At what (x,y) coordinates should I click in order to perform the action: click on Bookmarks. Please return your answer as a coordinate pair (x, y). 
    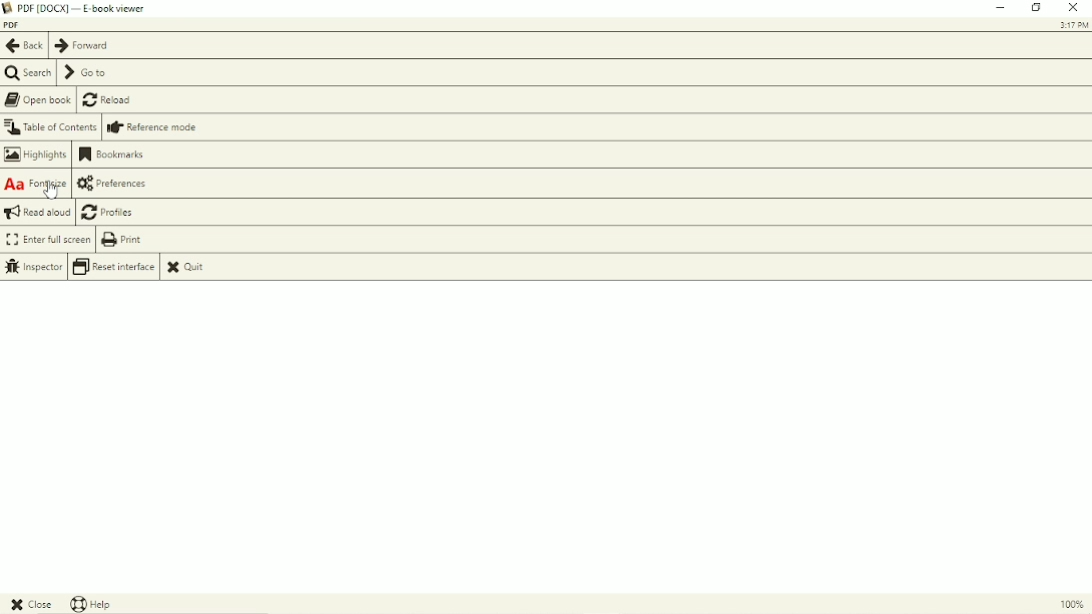
    Looking at the image, I should click on (117, 156).